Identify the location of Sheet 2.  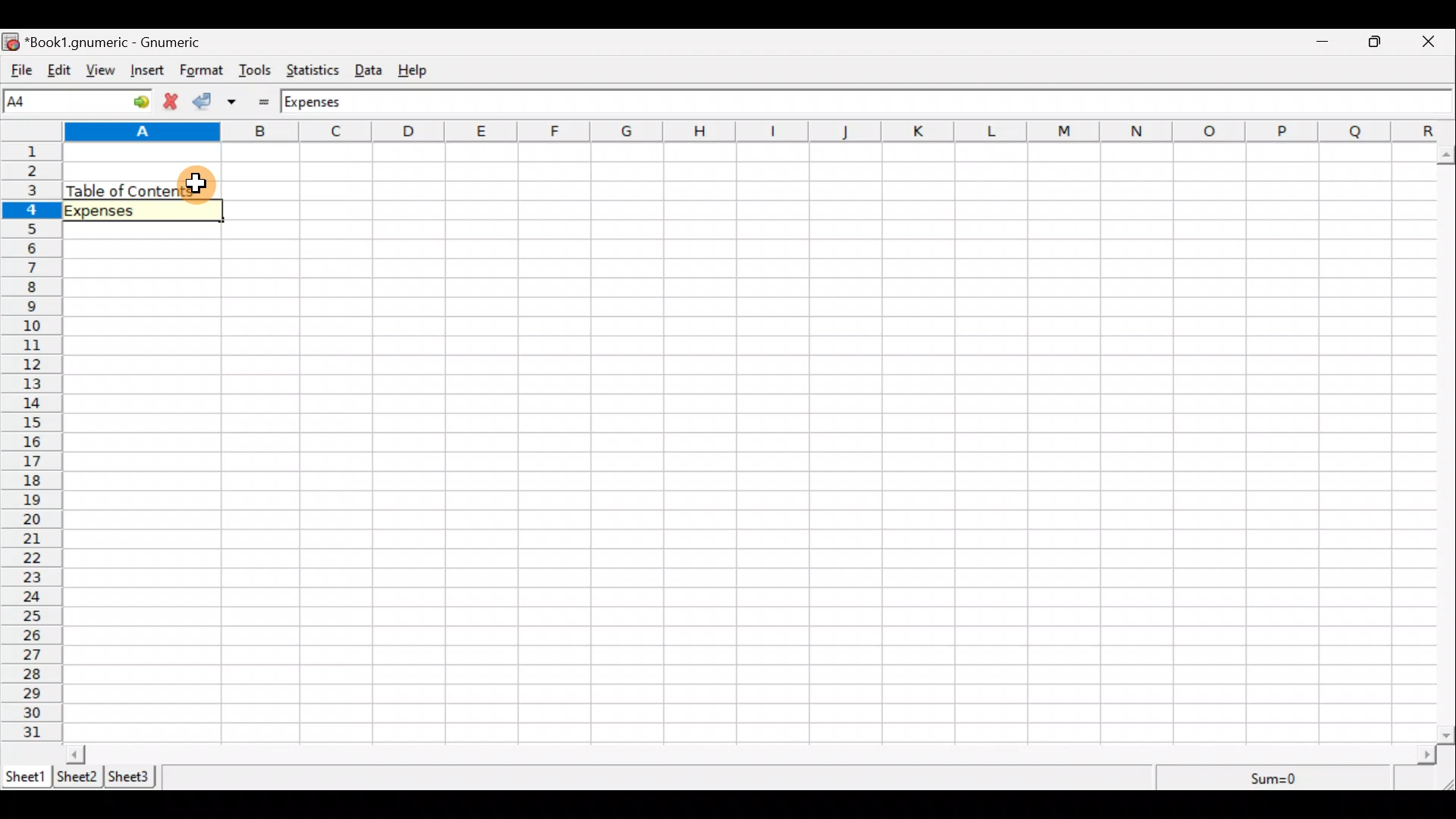
(78, 777).